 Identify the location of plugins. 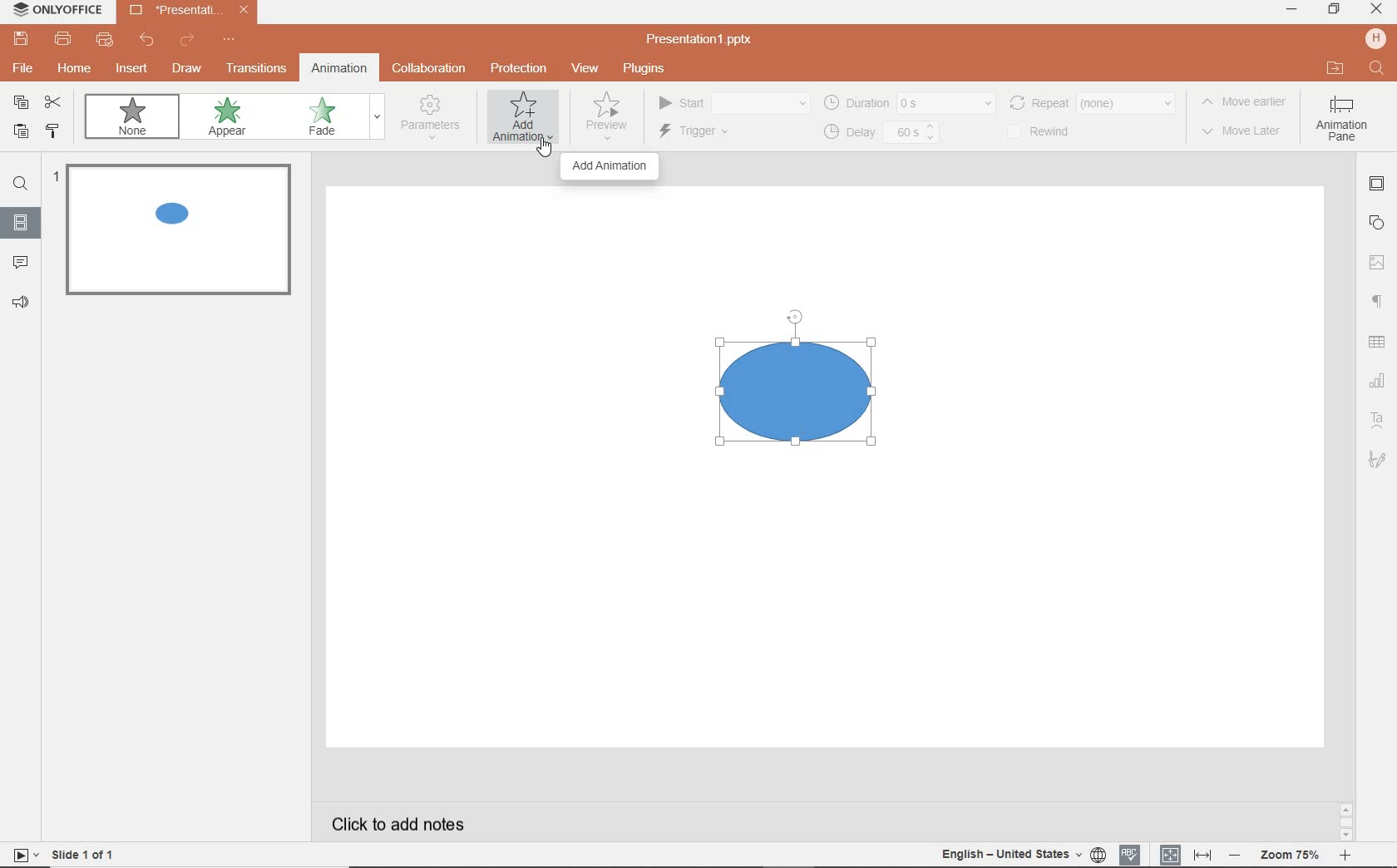
(653, 69).